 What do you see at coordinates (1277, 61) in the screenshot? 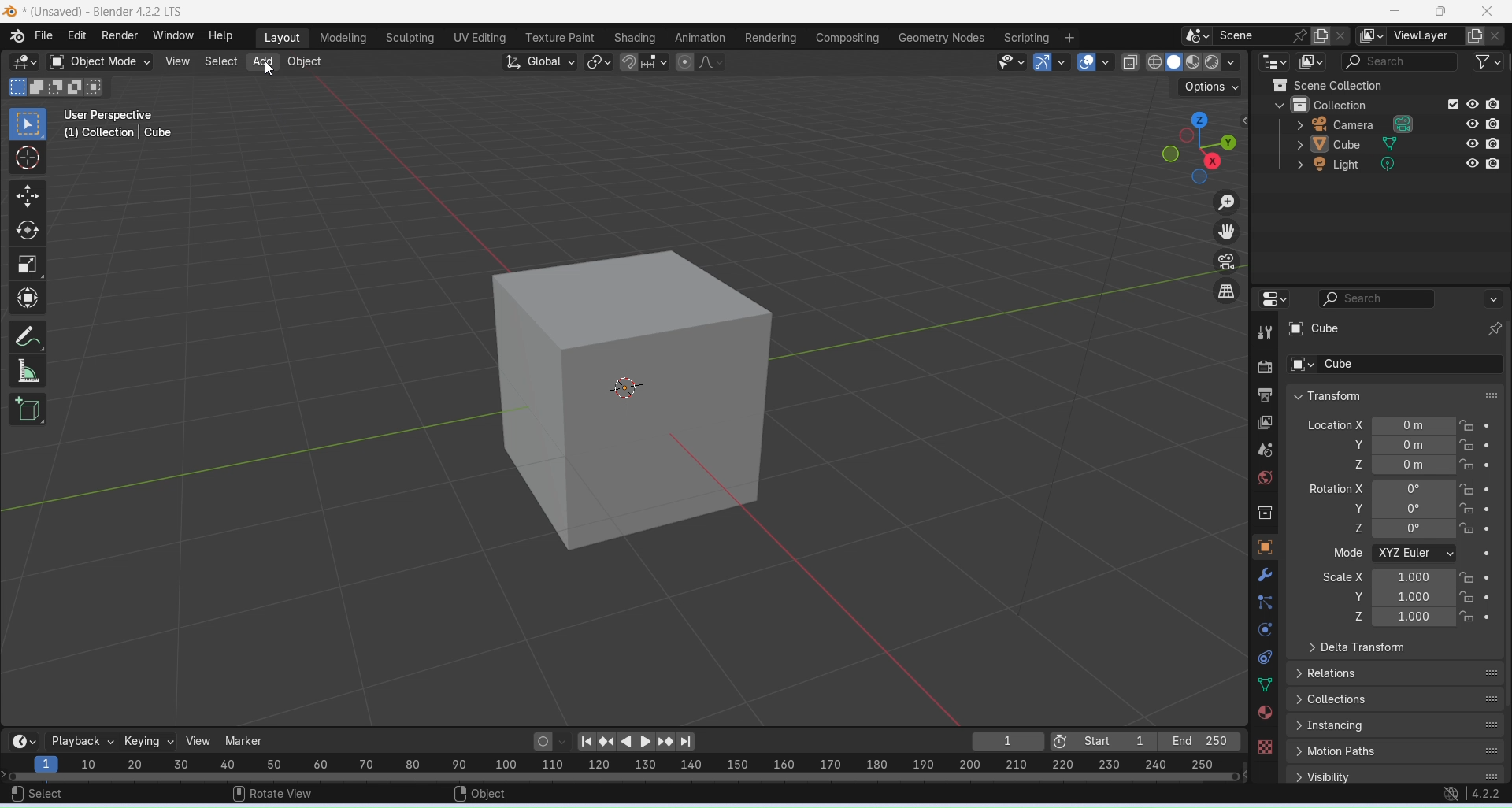
I see `Editor type` at bounding box center [1277, 61].